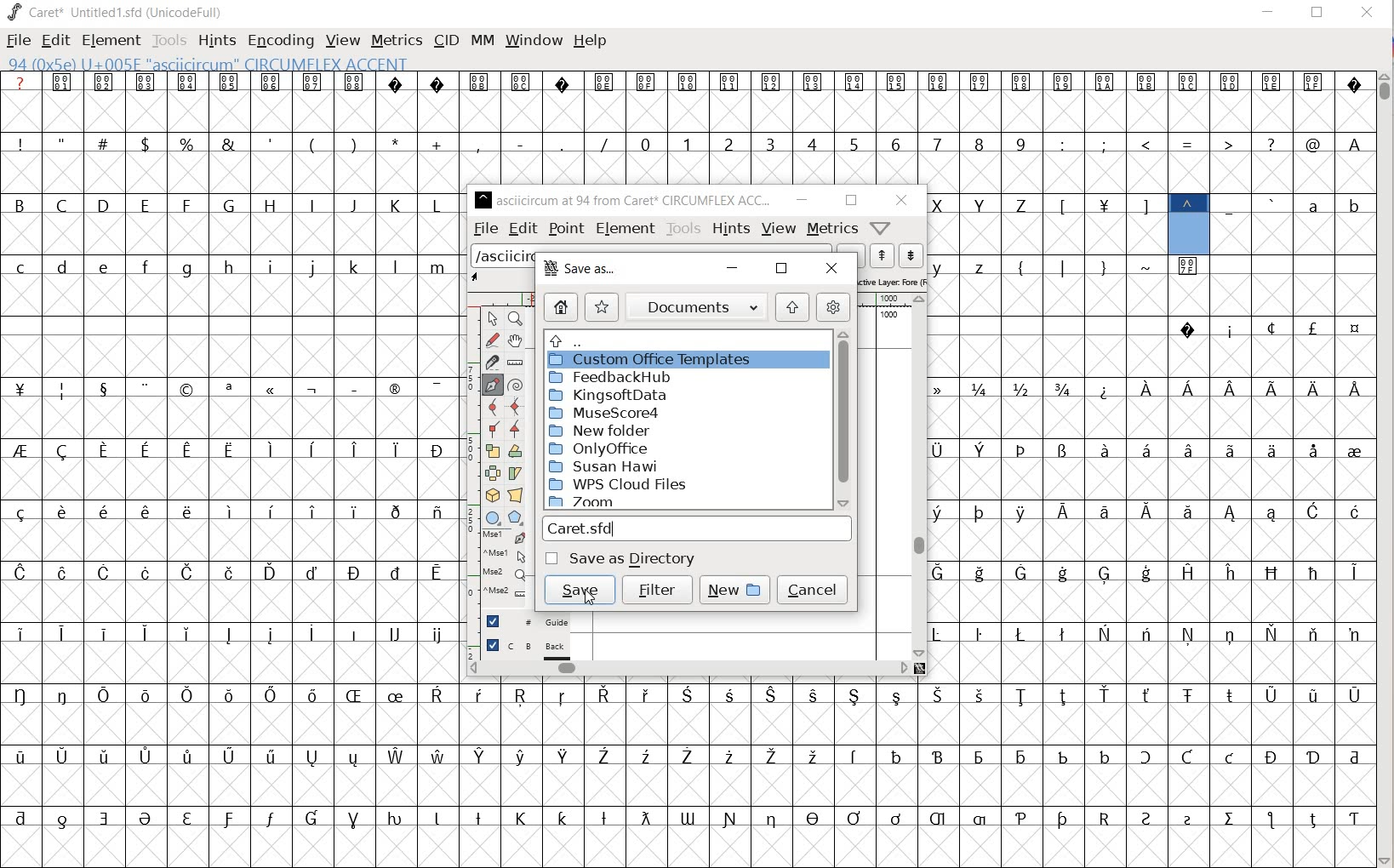 Image resolution: width=1394 pixels, height=868 pixels. I want to click on cut splines in two, so click(490, 363).